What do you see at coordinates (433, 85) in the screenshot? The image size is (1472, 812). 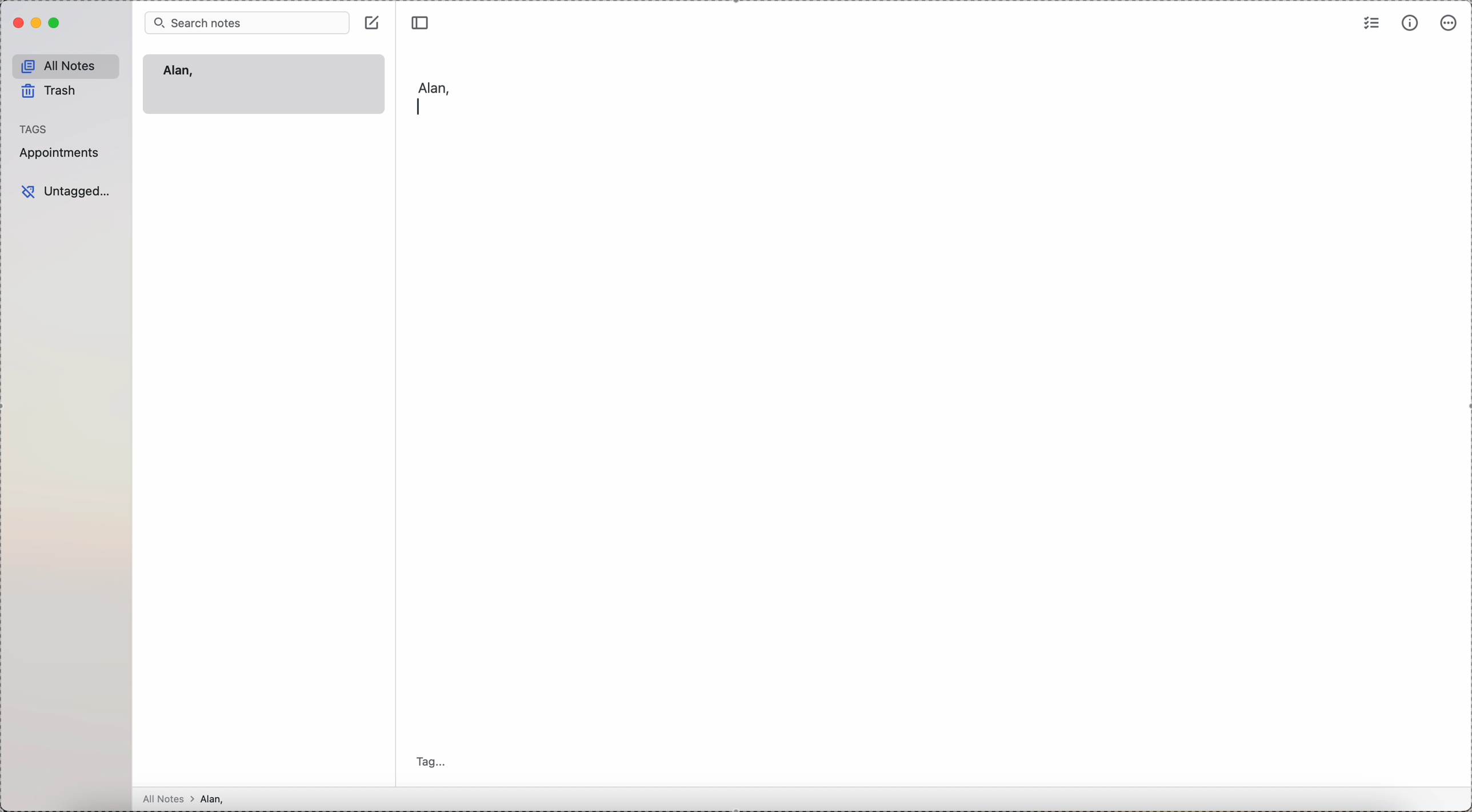 I see `Alan,` at bounding box center [433, 85].